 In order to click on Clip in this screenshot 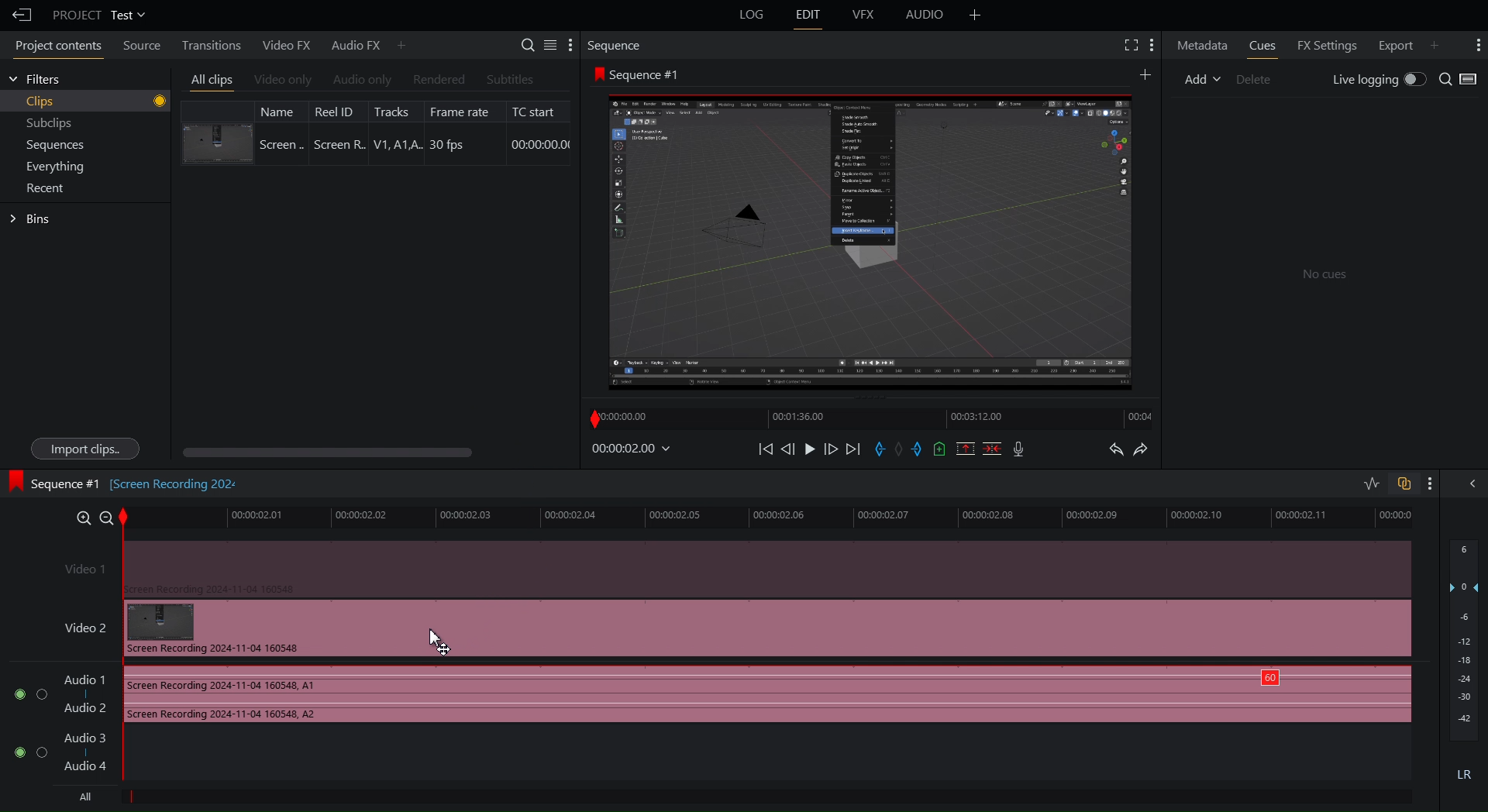, I will do `click(376, 132)`.